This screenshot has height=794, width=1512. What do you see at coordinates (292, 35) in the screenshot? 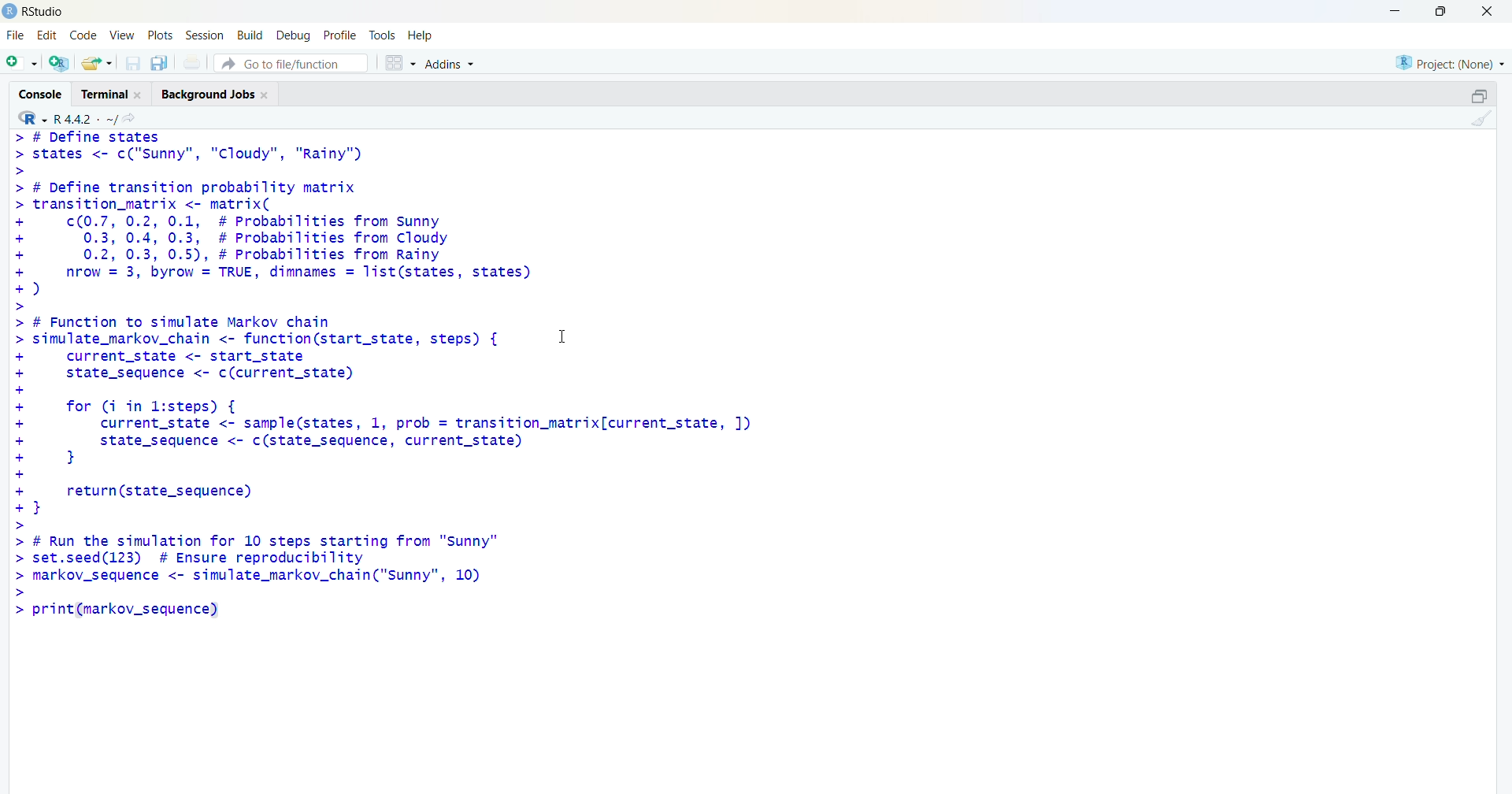
I see `debug` at bounding box center [292, 35].